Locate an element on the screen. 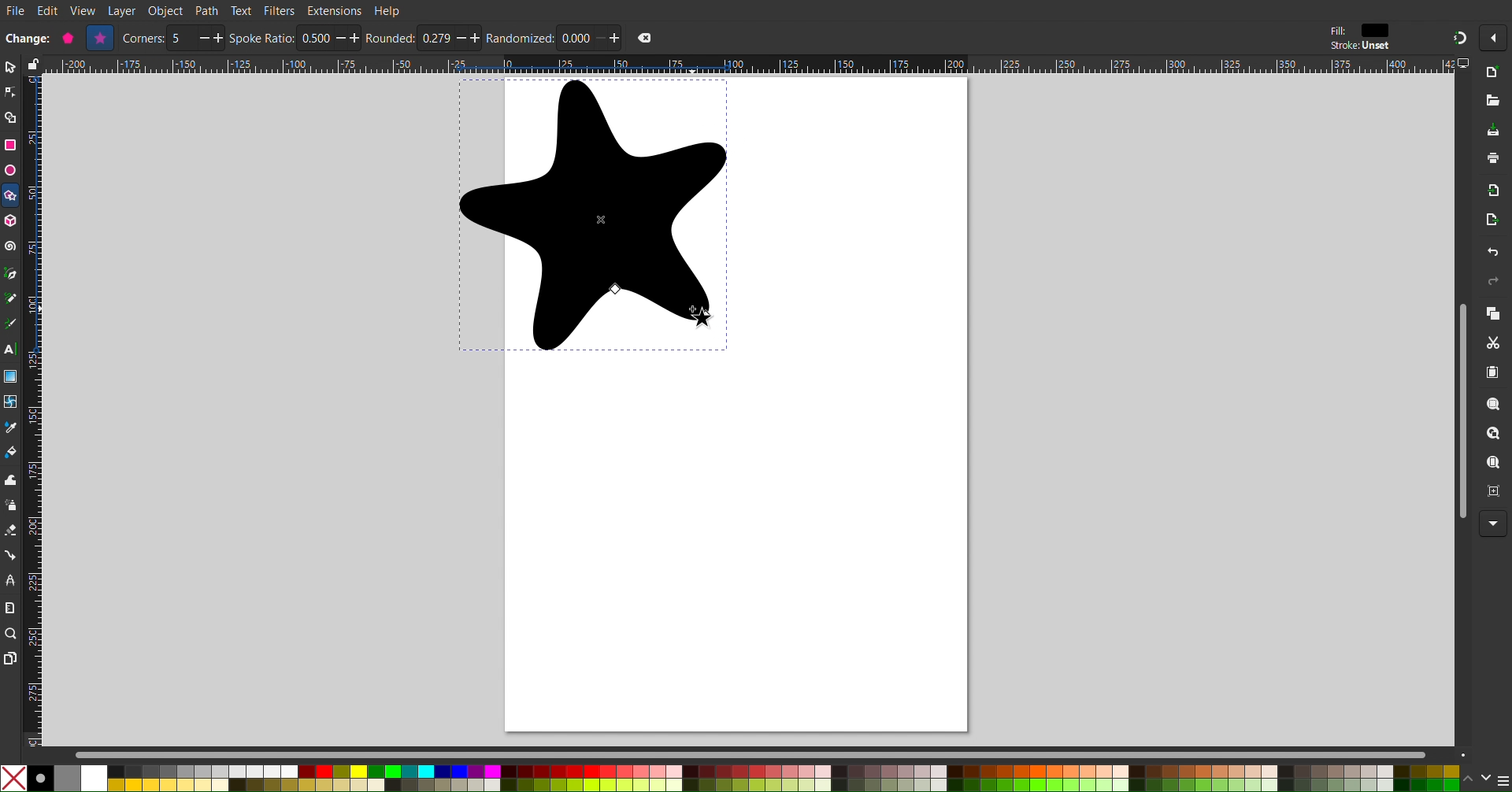 The height and width of the screenshot is (792, 1512). Spray Tool is located at coordinates (10, 505).